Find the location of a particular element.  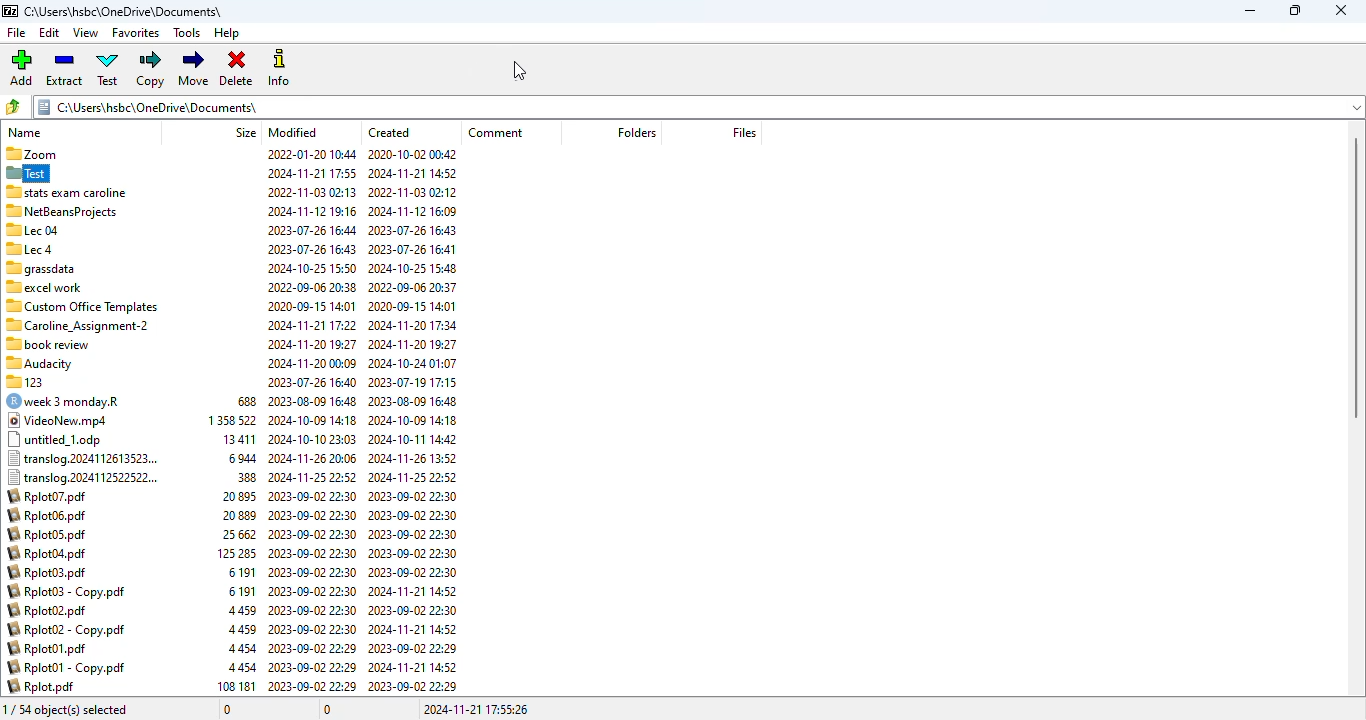

Rplot02.pdf is located at coordinates (46, 609).